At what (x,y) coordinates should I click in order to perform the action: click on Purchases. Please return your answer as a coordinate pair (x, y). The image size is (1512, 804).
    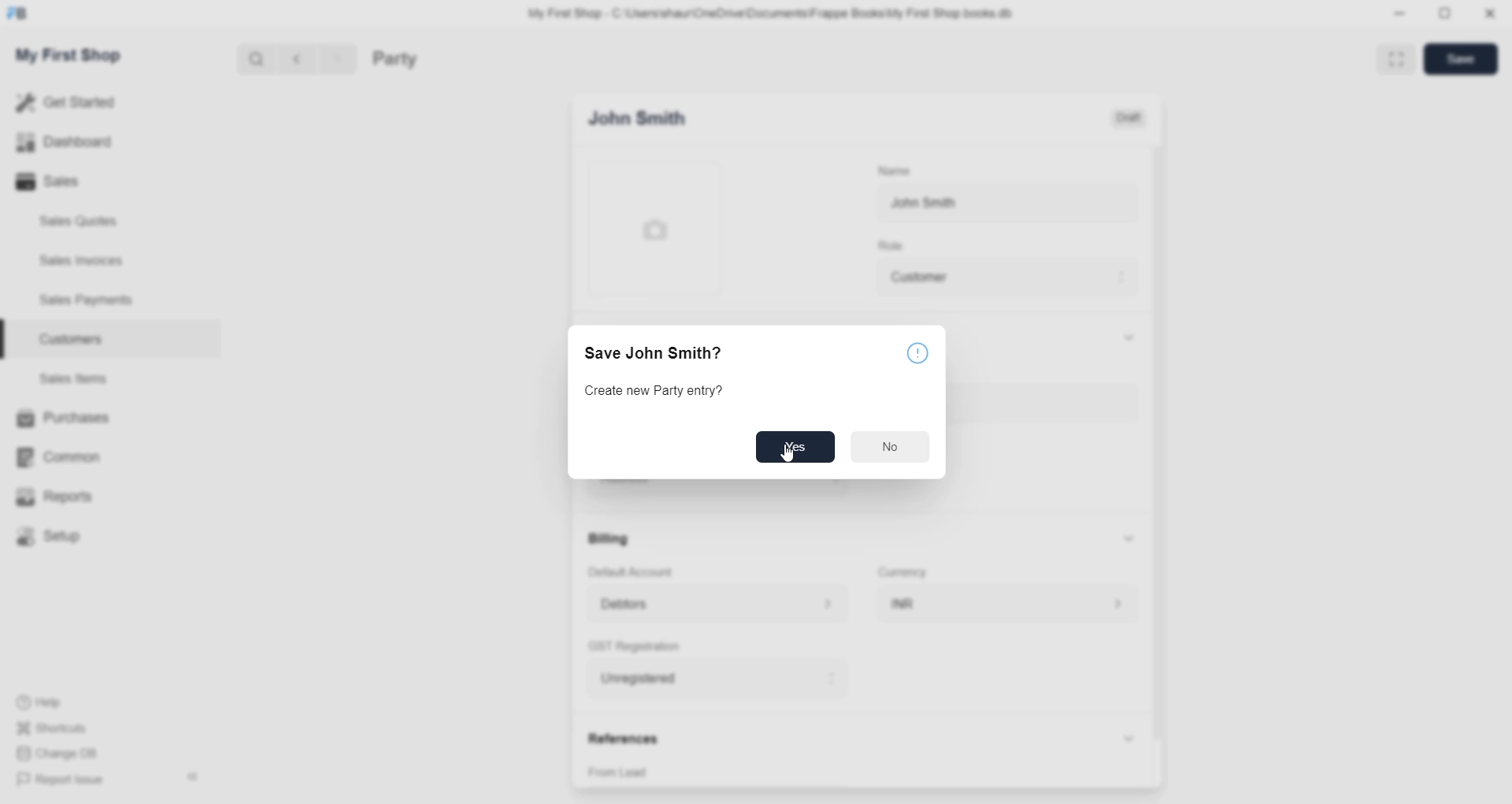
    Looking at the image, I should click on (64, 418).